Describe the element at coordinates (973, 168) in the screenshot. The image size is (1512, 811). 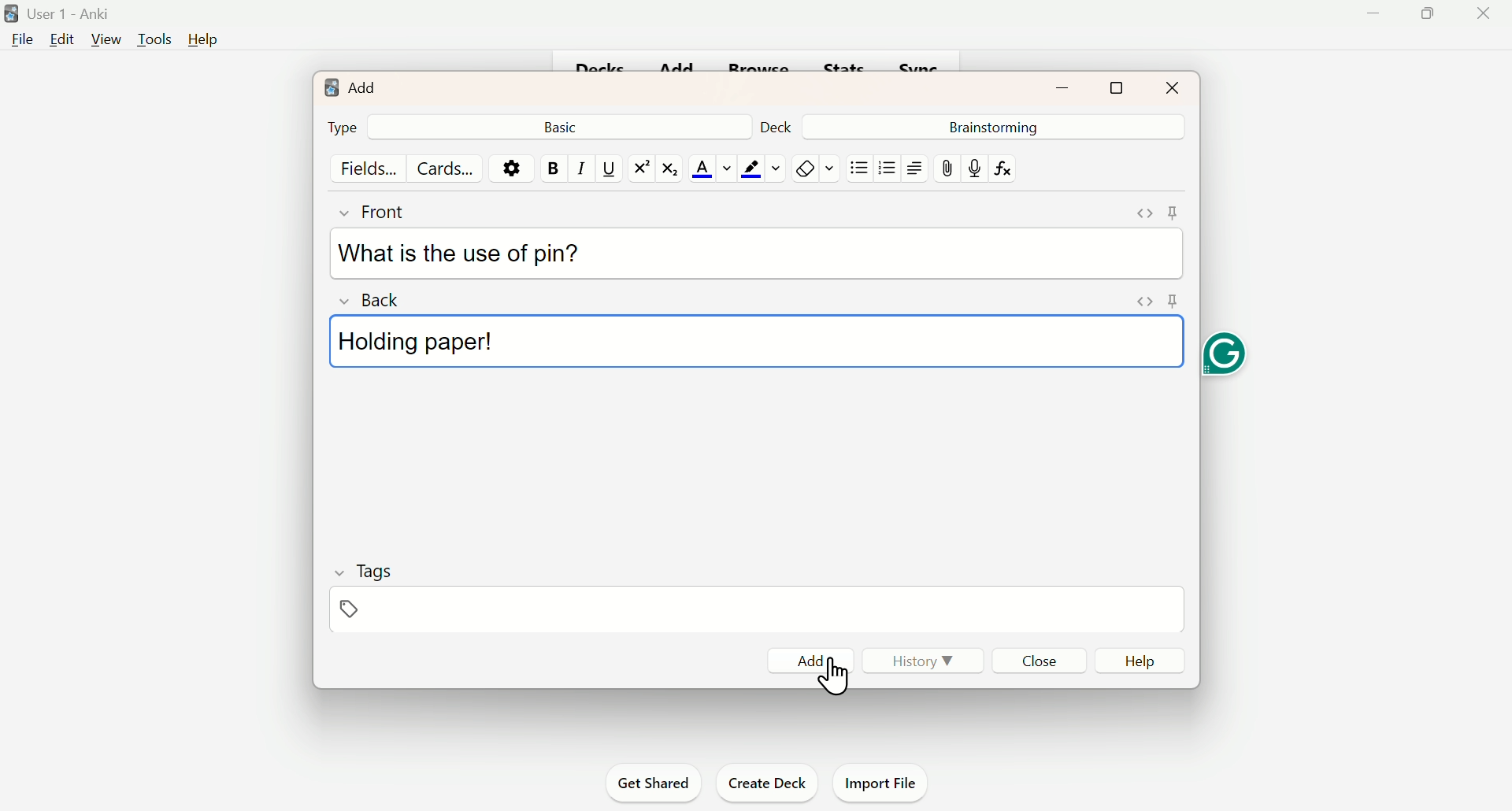
I see `mic` at that location.